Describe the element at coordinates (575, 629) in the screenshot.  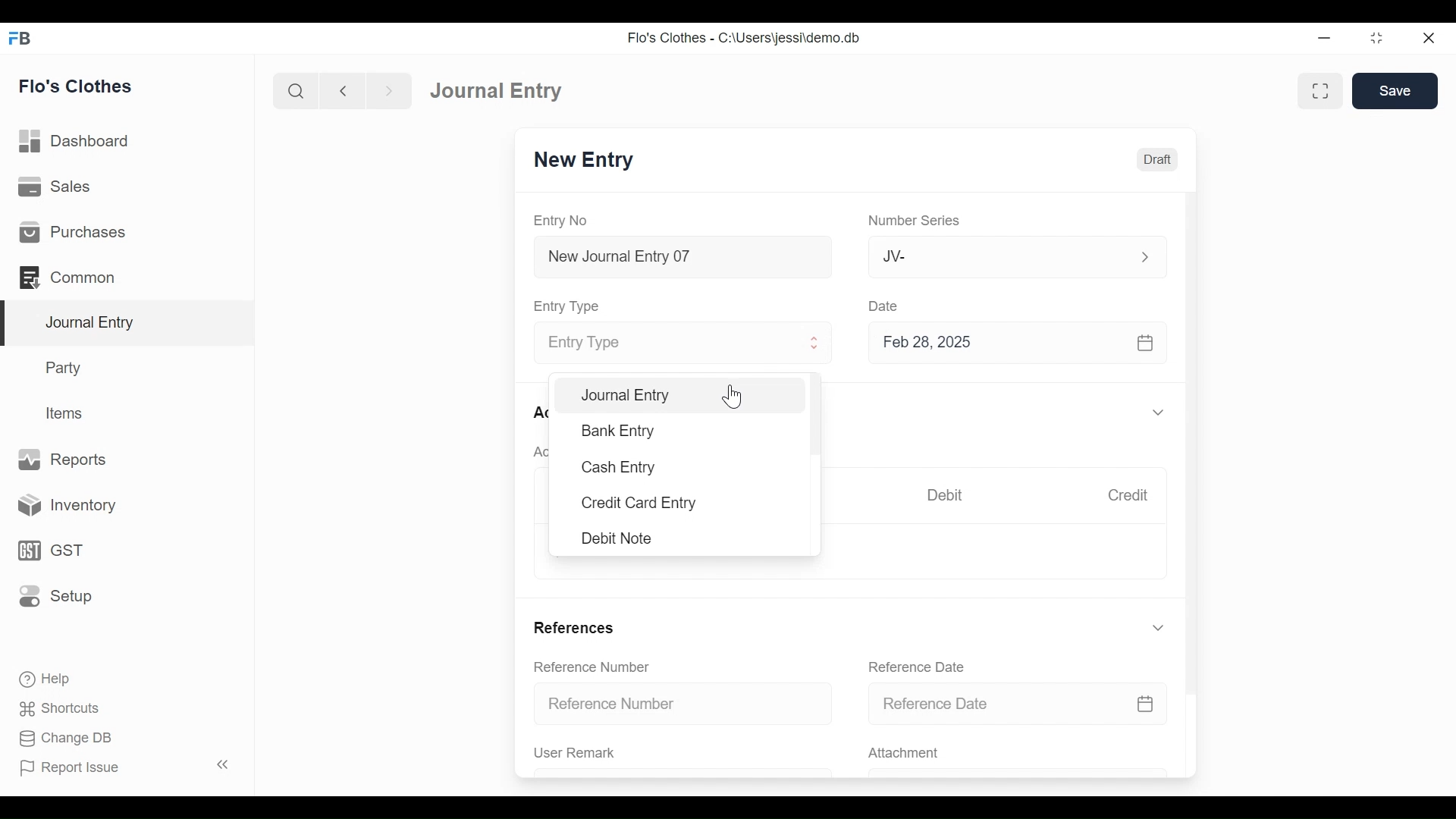
I see `References` at that location.